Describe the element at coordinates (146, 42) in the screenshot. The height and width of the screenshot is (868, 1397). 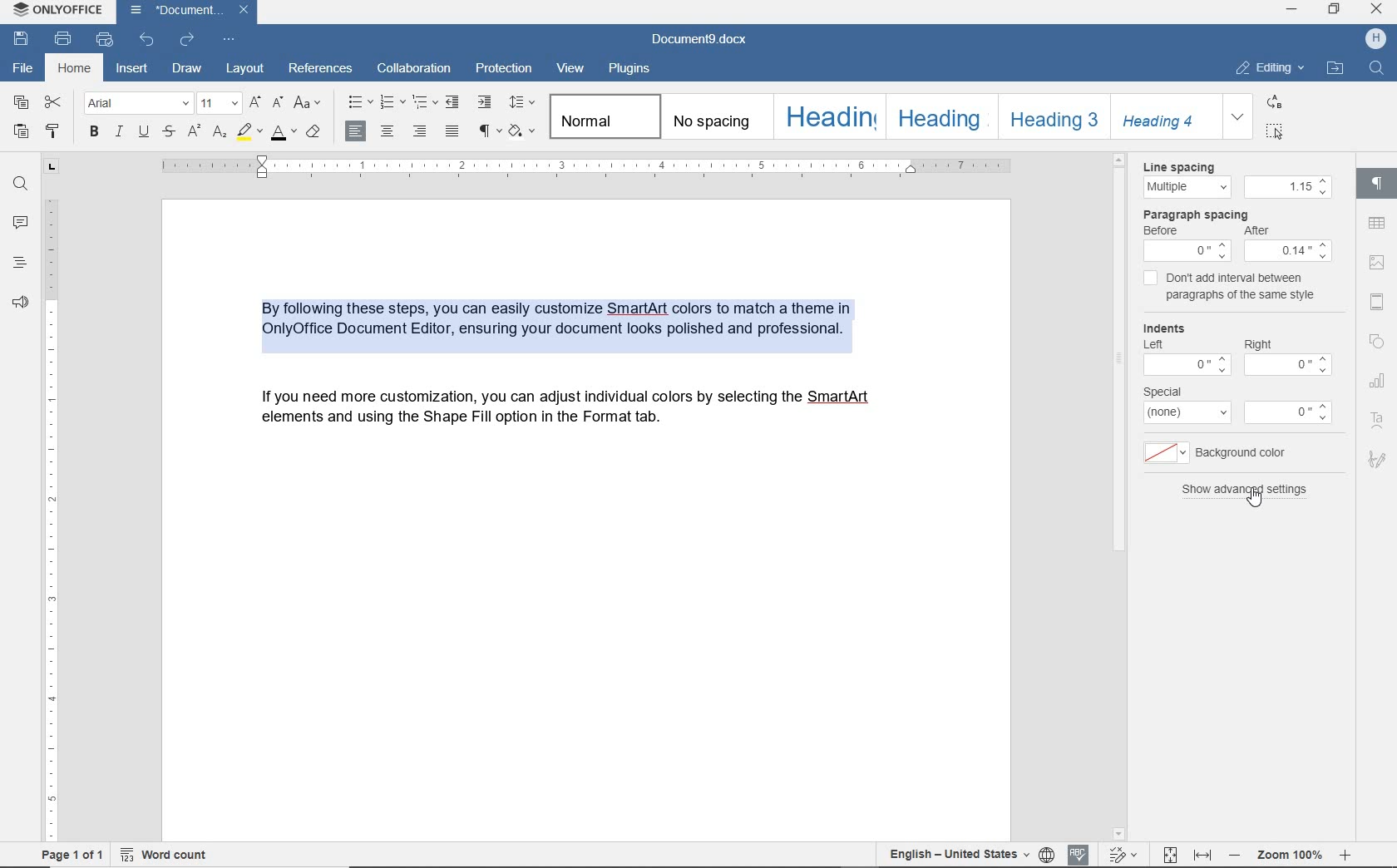
I see `undo` at that location.